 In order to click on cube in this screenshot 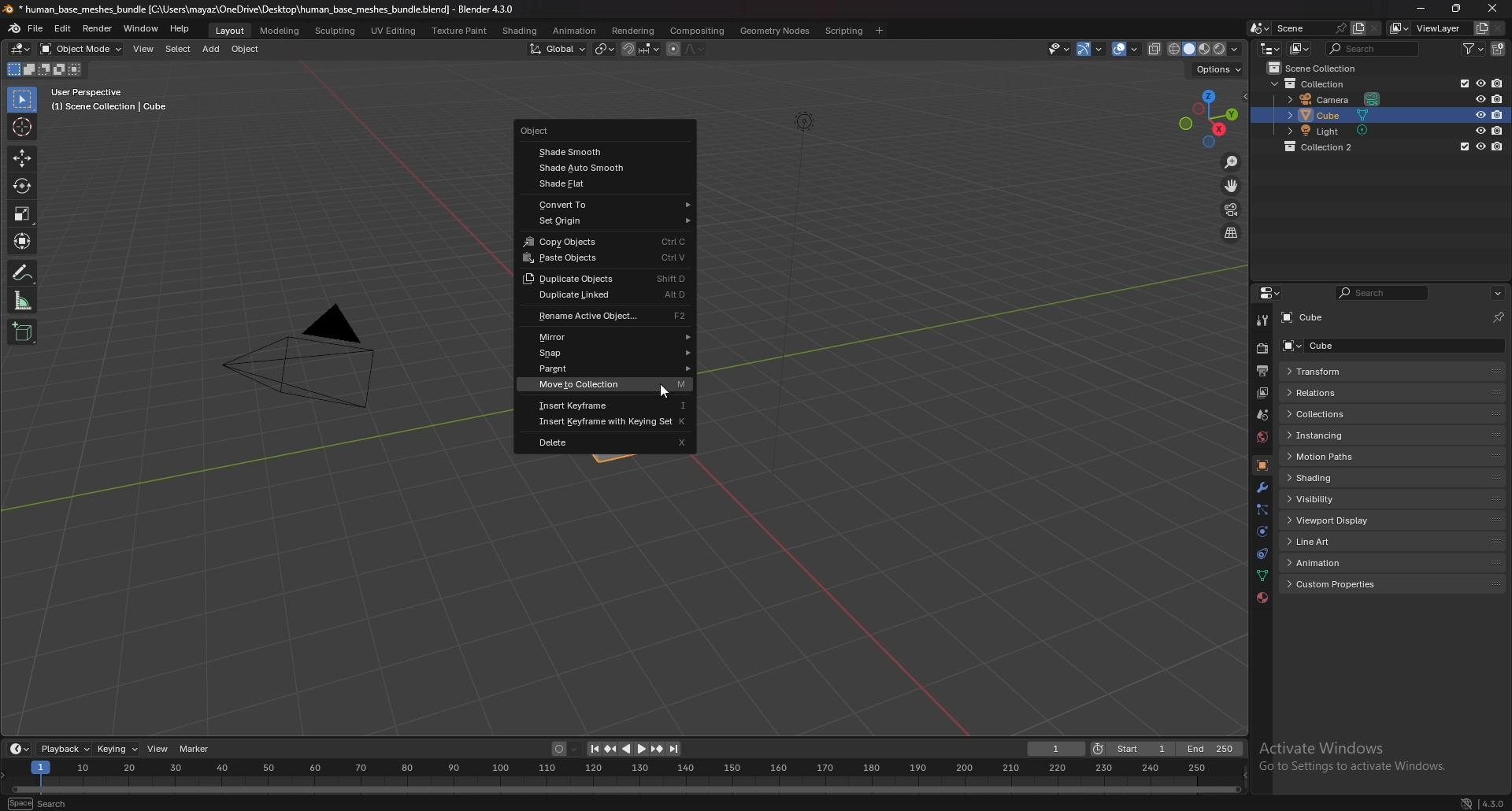, I will do `click(1340, 345)`.